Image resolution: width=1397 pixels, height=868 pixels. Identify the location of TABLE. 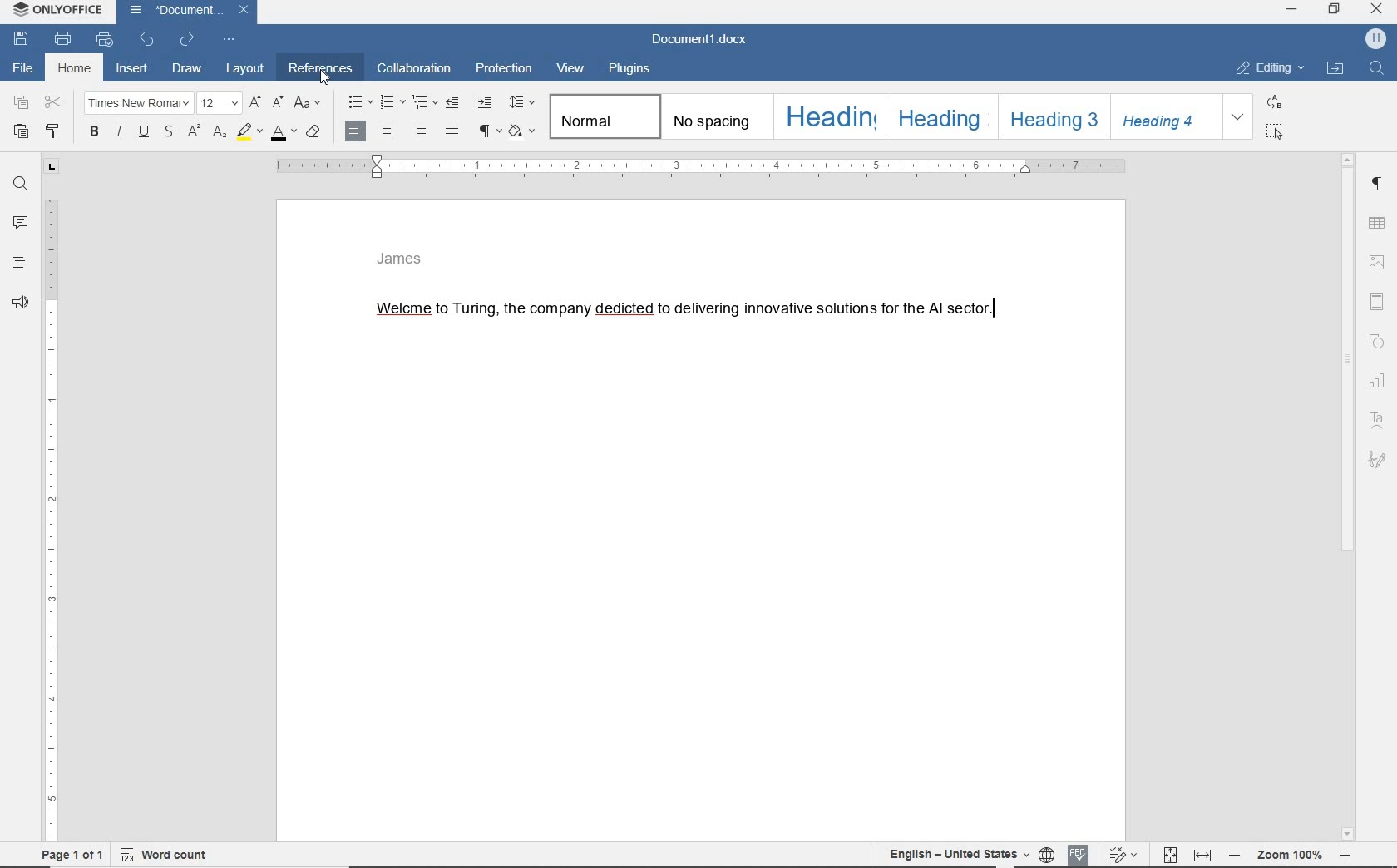
(1379, 223).